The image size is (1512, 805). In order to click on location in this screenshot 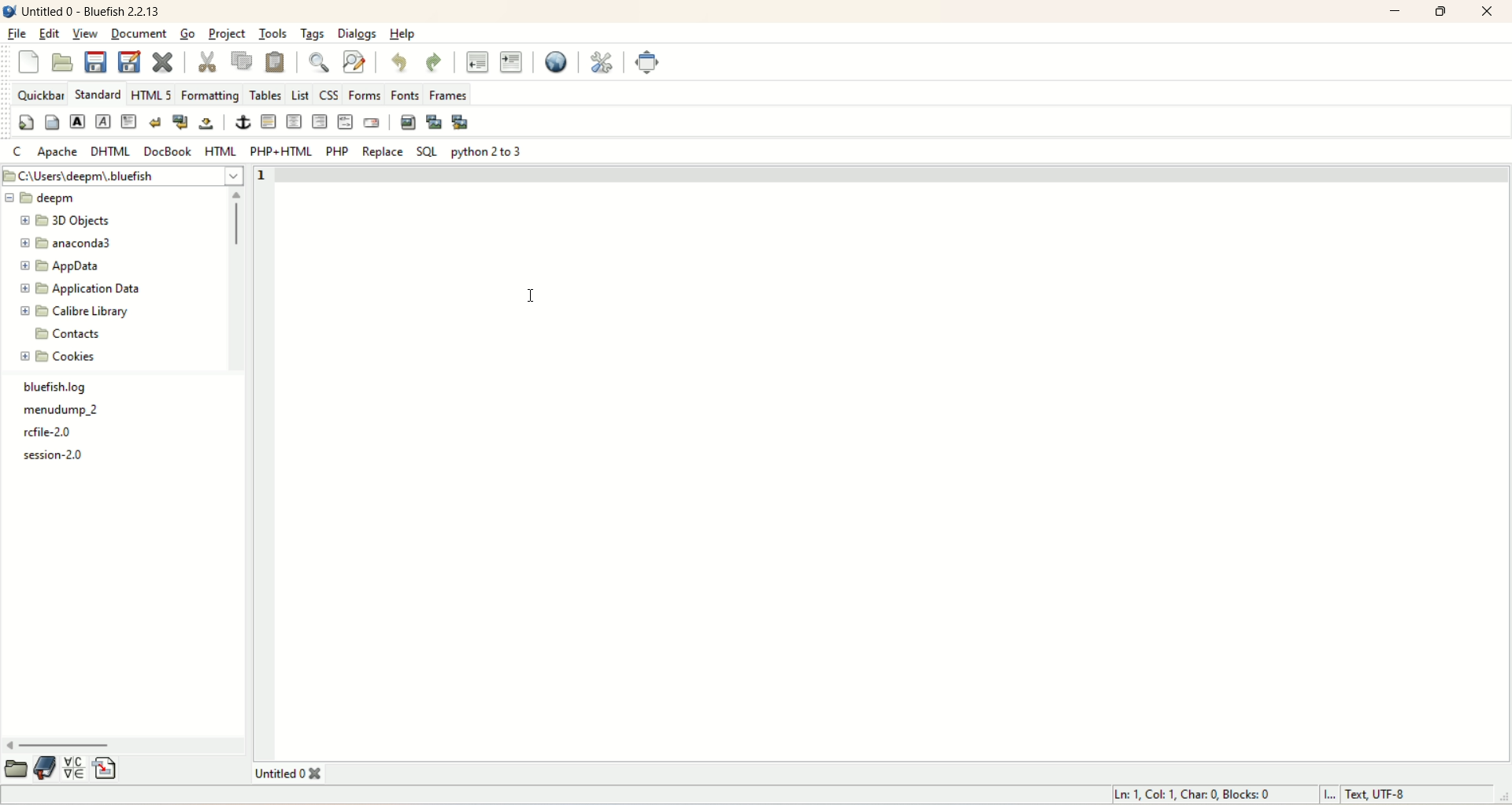, I will do `click(126, 176)`.